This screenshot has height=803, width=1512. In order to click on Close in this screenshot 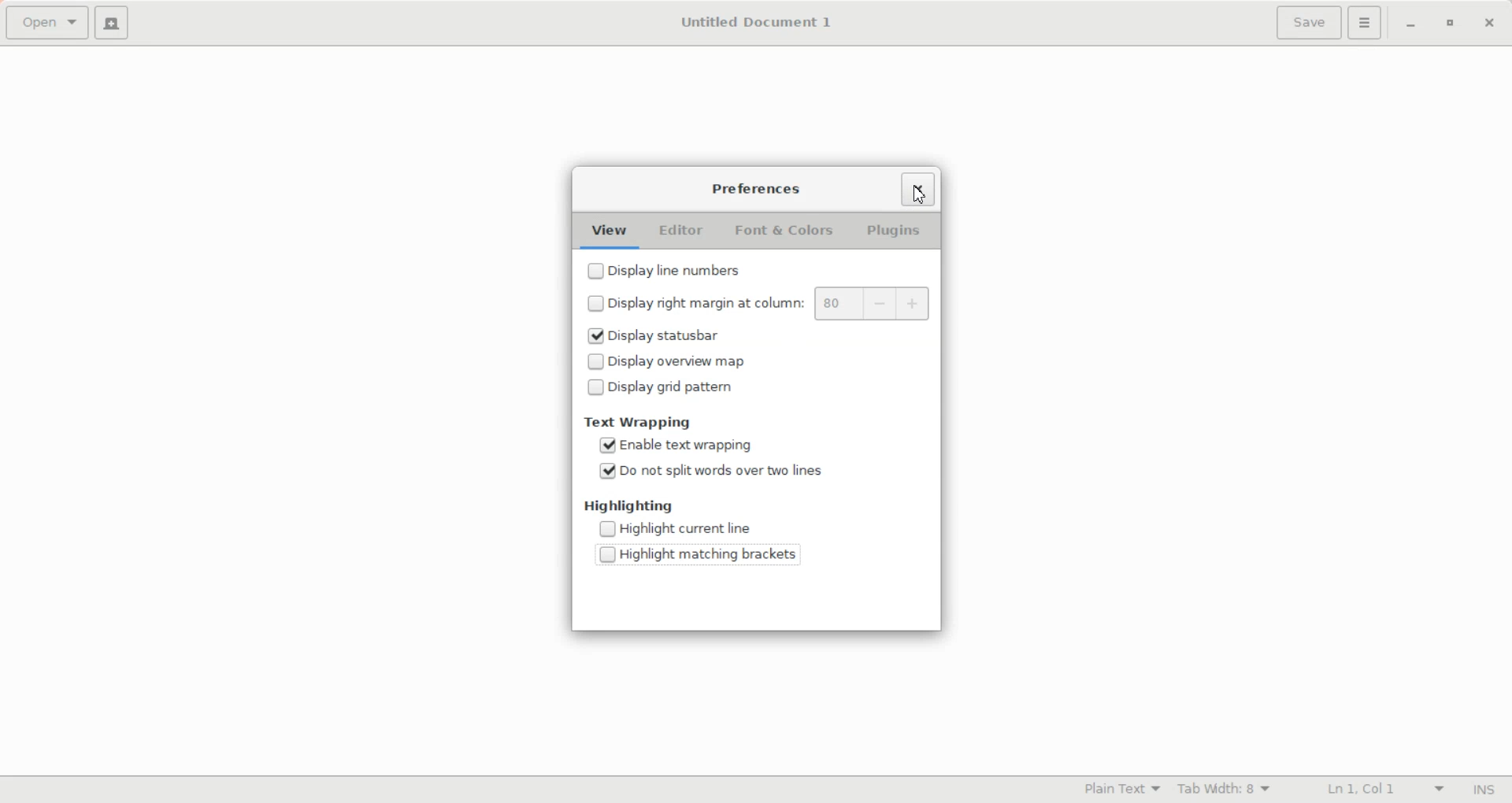, I will do `click(918, 187)`.